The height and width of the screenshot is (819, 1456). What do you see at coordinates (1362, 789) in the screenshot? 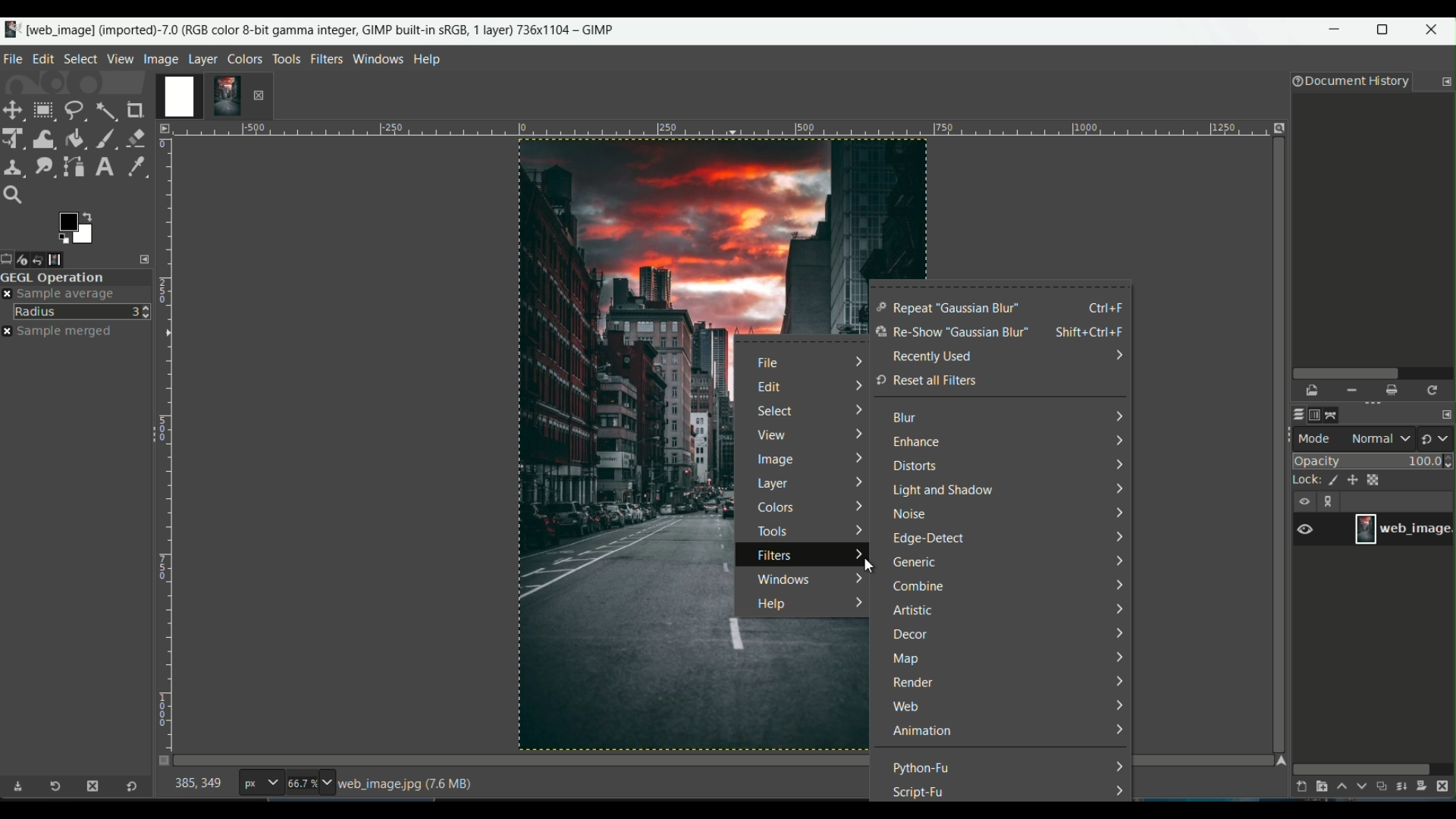
I see `lower layer` at bounding box center [1362, 789].